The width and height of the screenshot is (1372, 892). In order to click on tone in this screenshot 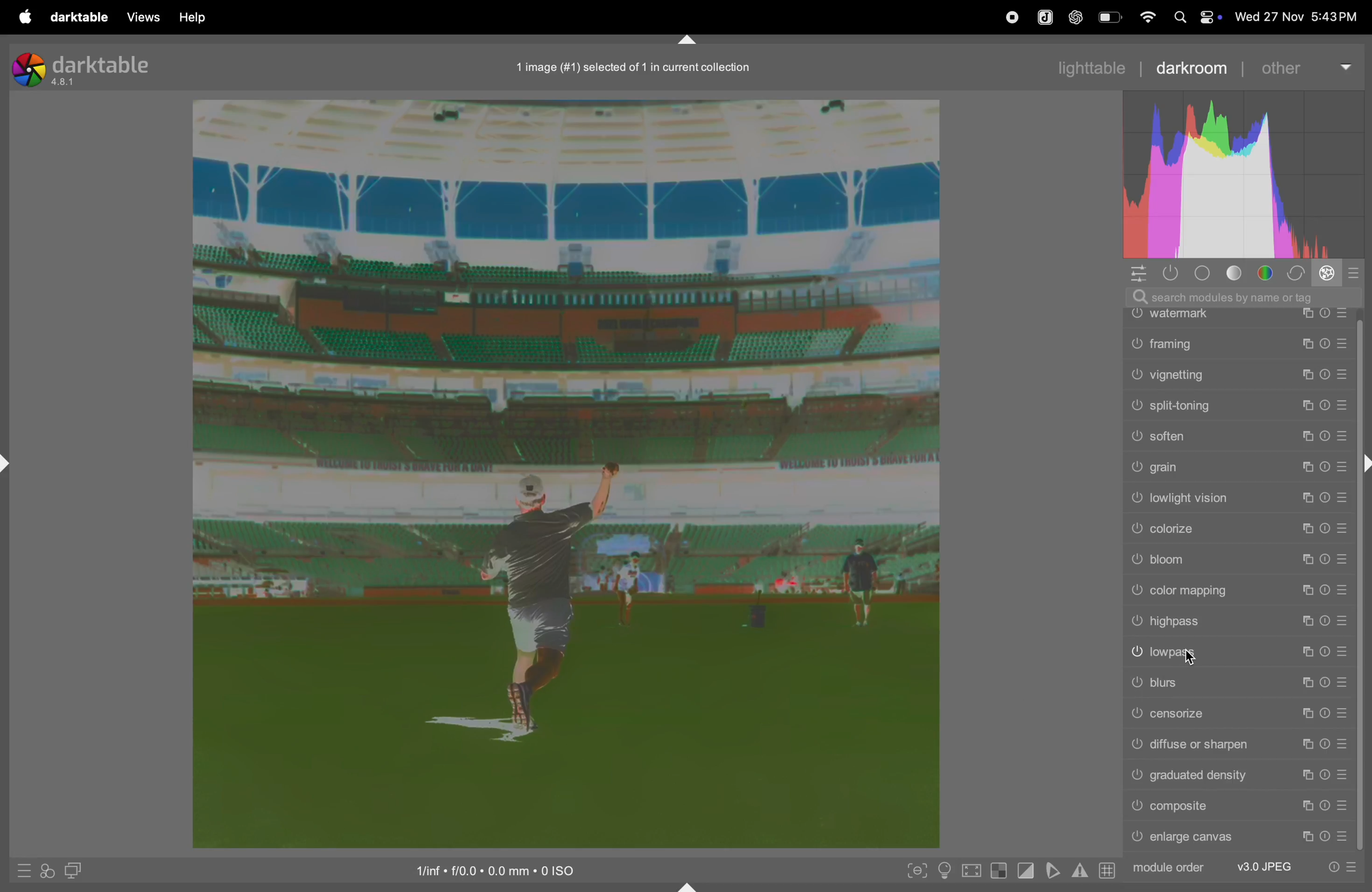, I will do `click(1238, 273)`.